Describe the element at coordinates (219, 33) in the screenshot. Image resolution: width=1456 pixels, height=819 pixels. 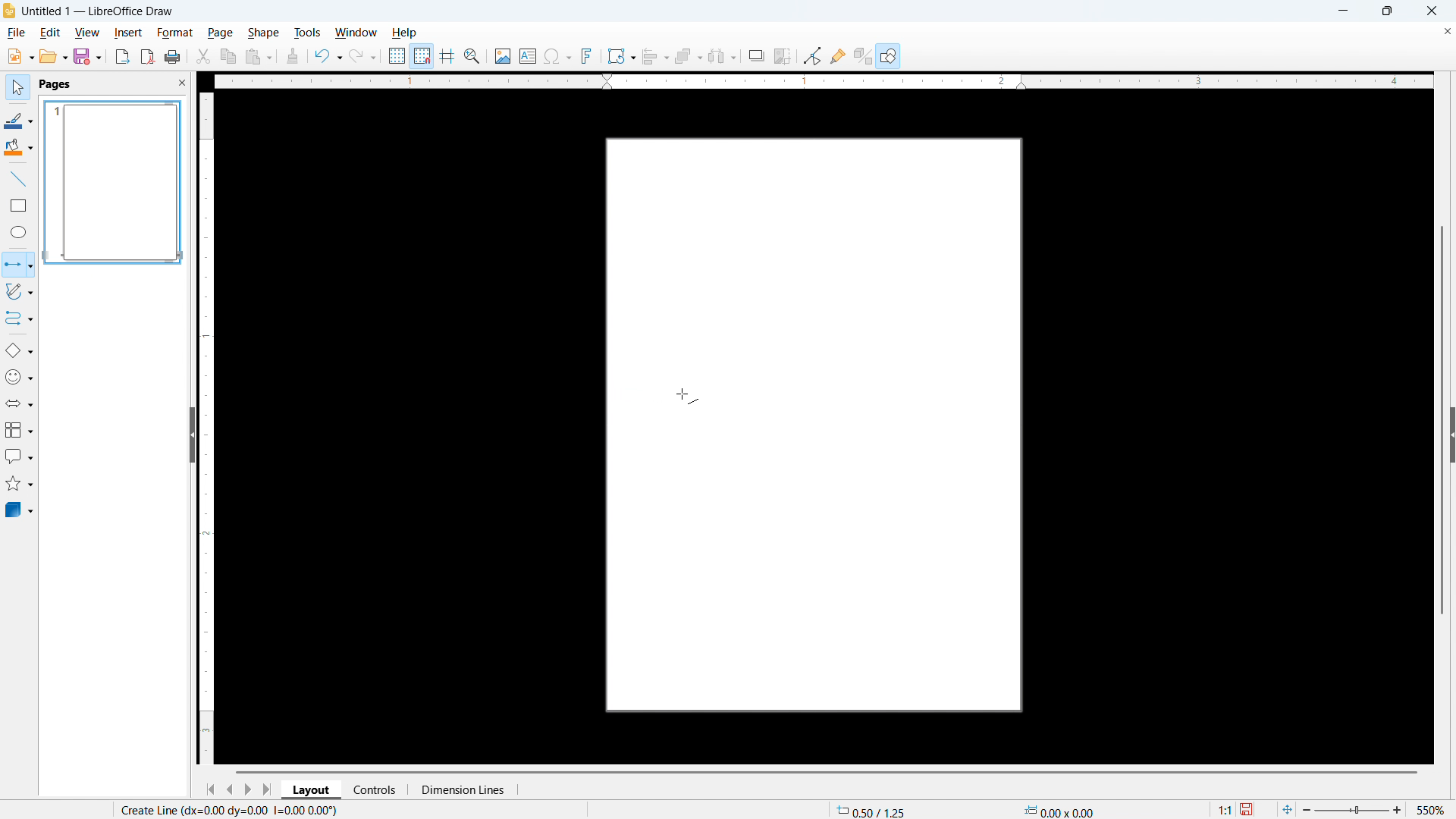
I see `Page ` at that location.